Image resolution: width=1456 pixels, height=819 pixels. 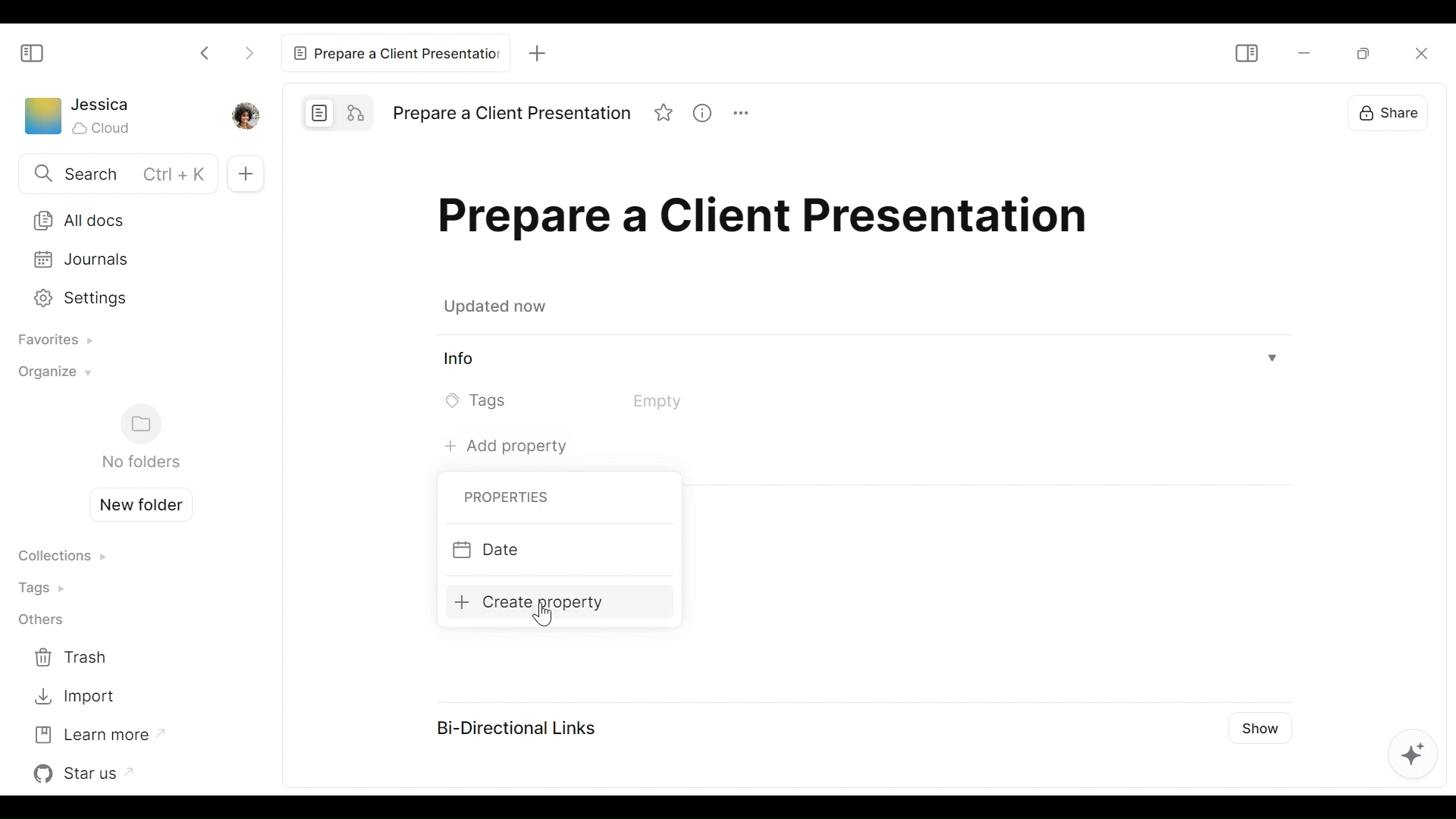 I want to click on Journals, so click(x=130, y=259).